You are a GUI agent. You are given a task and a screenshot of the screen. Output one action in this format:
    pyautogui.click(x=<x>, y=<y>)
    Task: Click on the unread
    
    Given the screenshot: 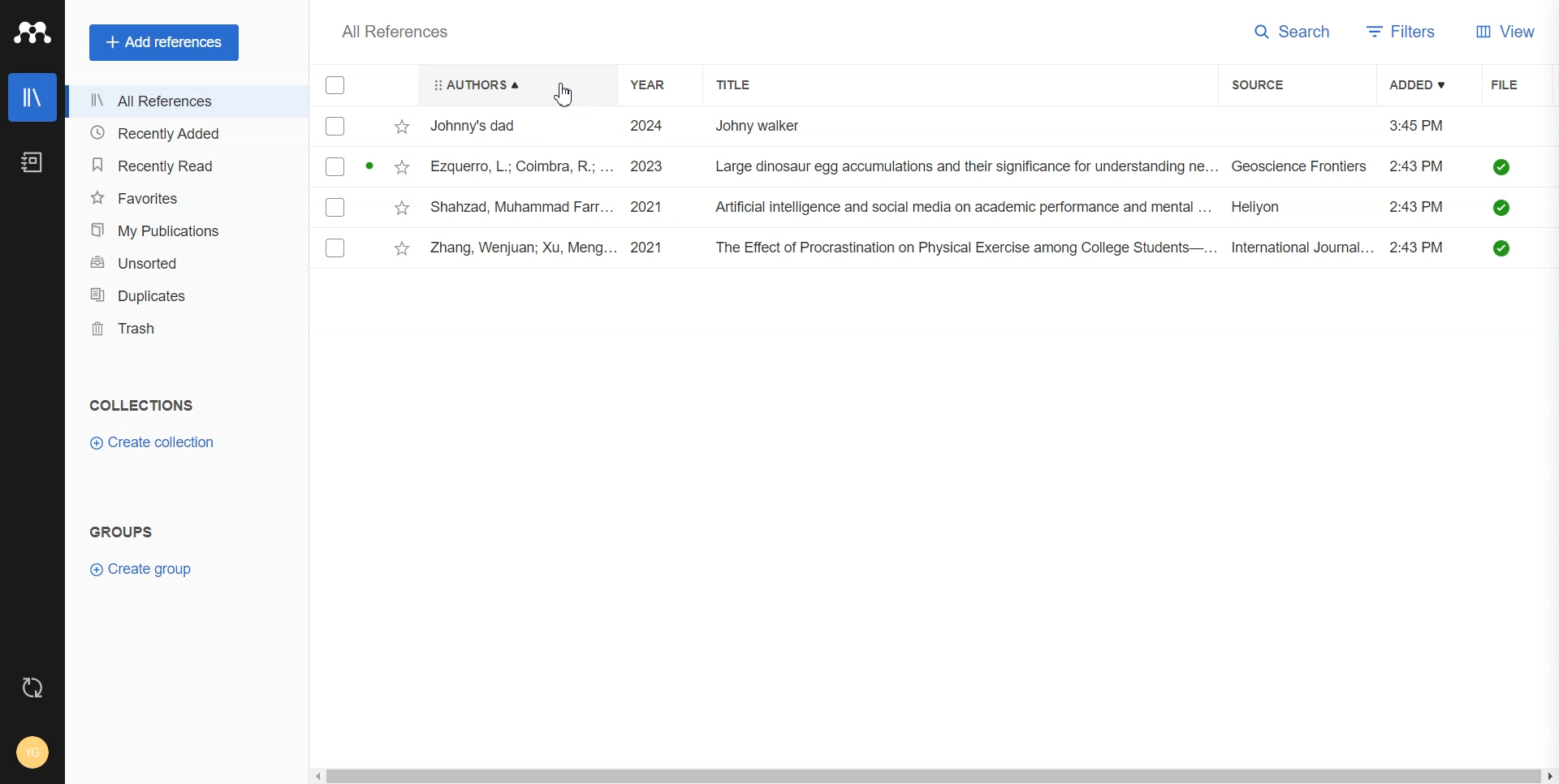 What is the action you would take?
    pyautogui.click(x=371, y=167)
    